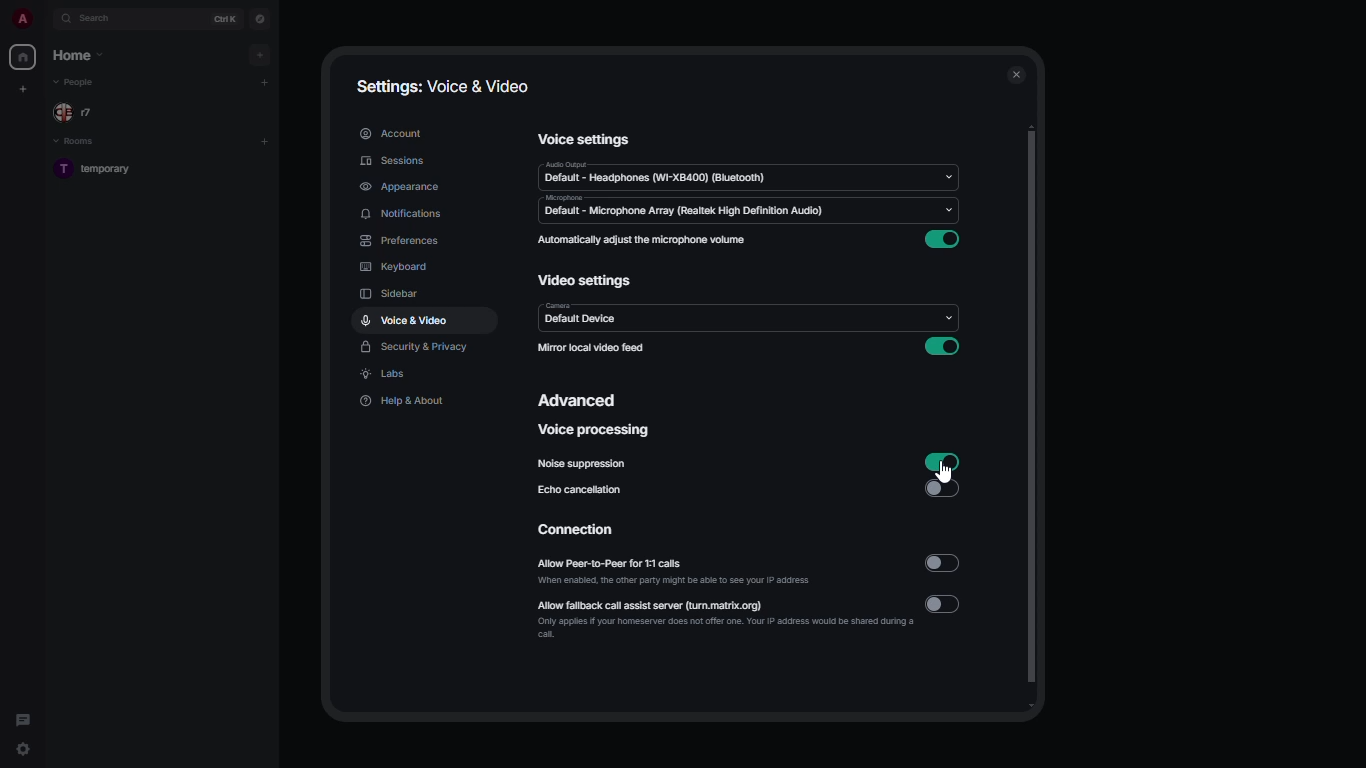  Describe the element at coordinates (106, 19) in the screenshot. I see `search` at that location.